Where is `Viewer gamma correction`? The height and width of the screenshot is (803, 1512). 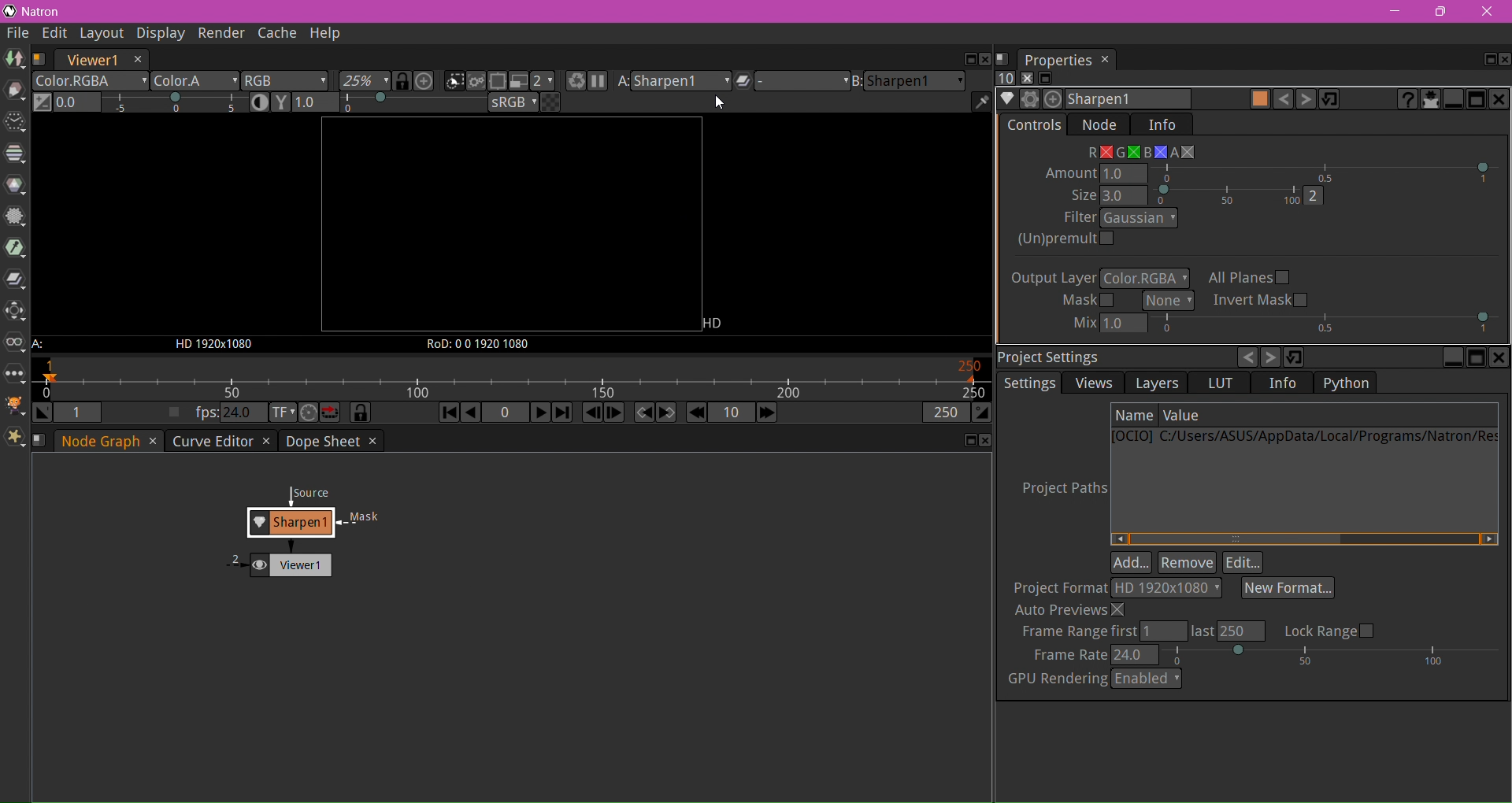
Viewer gamma correction is located at coordinates (281, 102).